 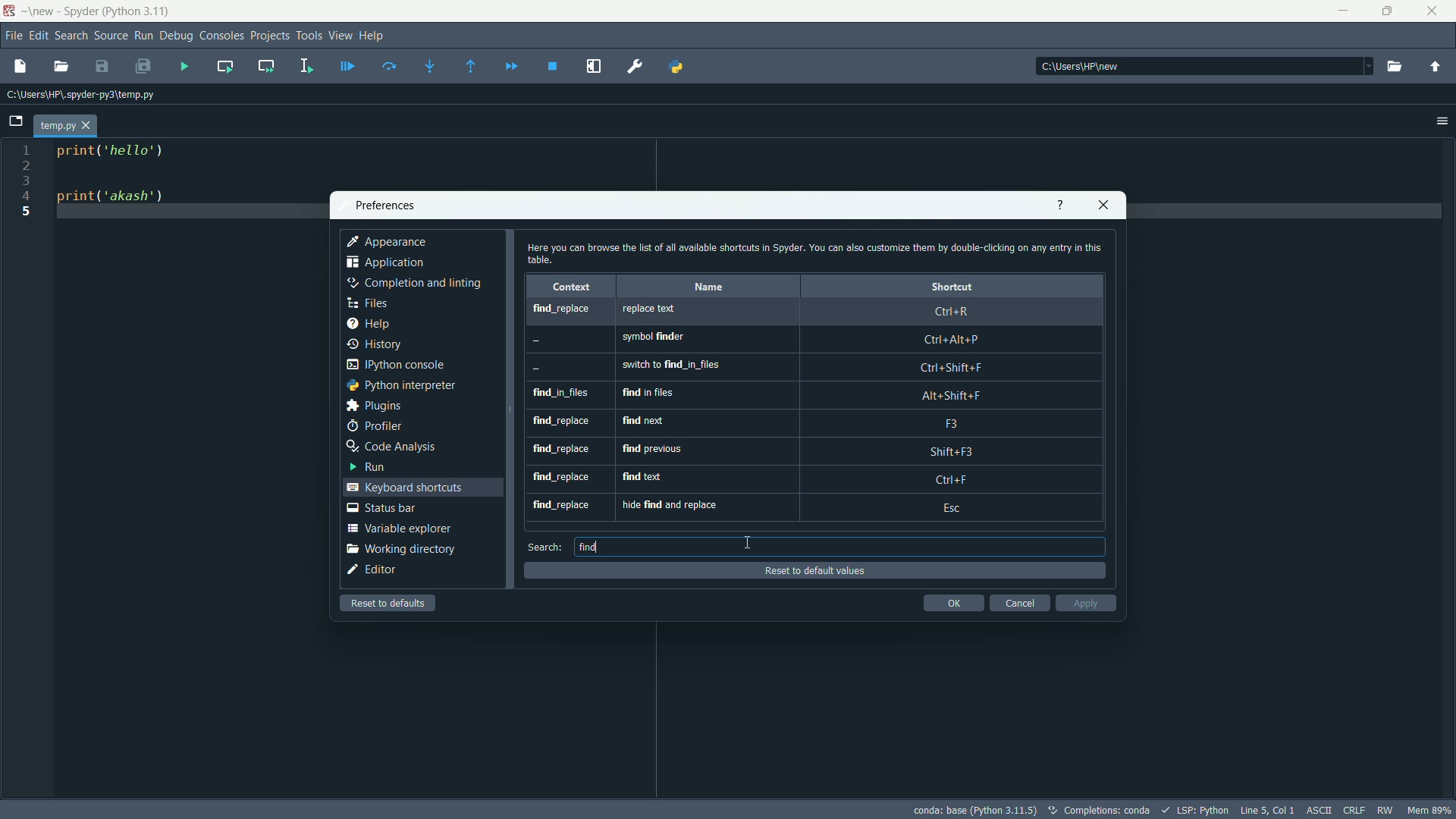 I want to click on vertical scroll bar, so click(x=1102, y=401).